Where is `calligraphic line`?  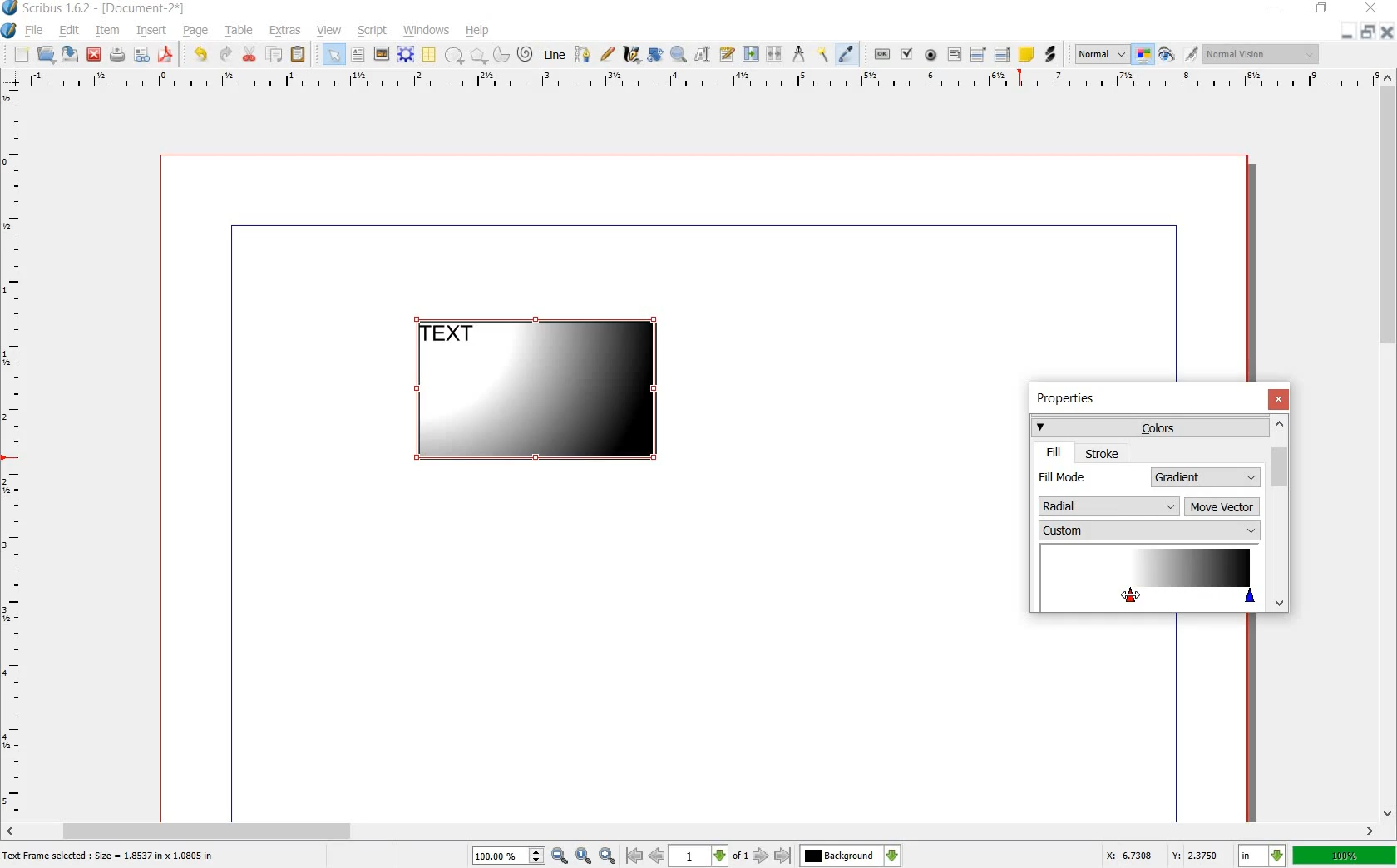 calligraphic line is located at coordinates (631, 53).